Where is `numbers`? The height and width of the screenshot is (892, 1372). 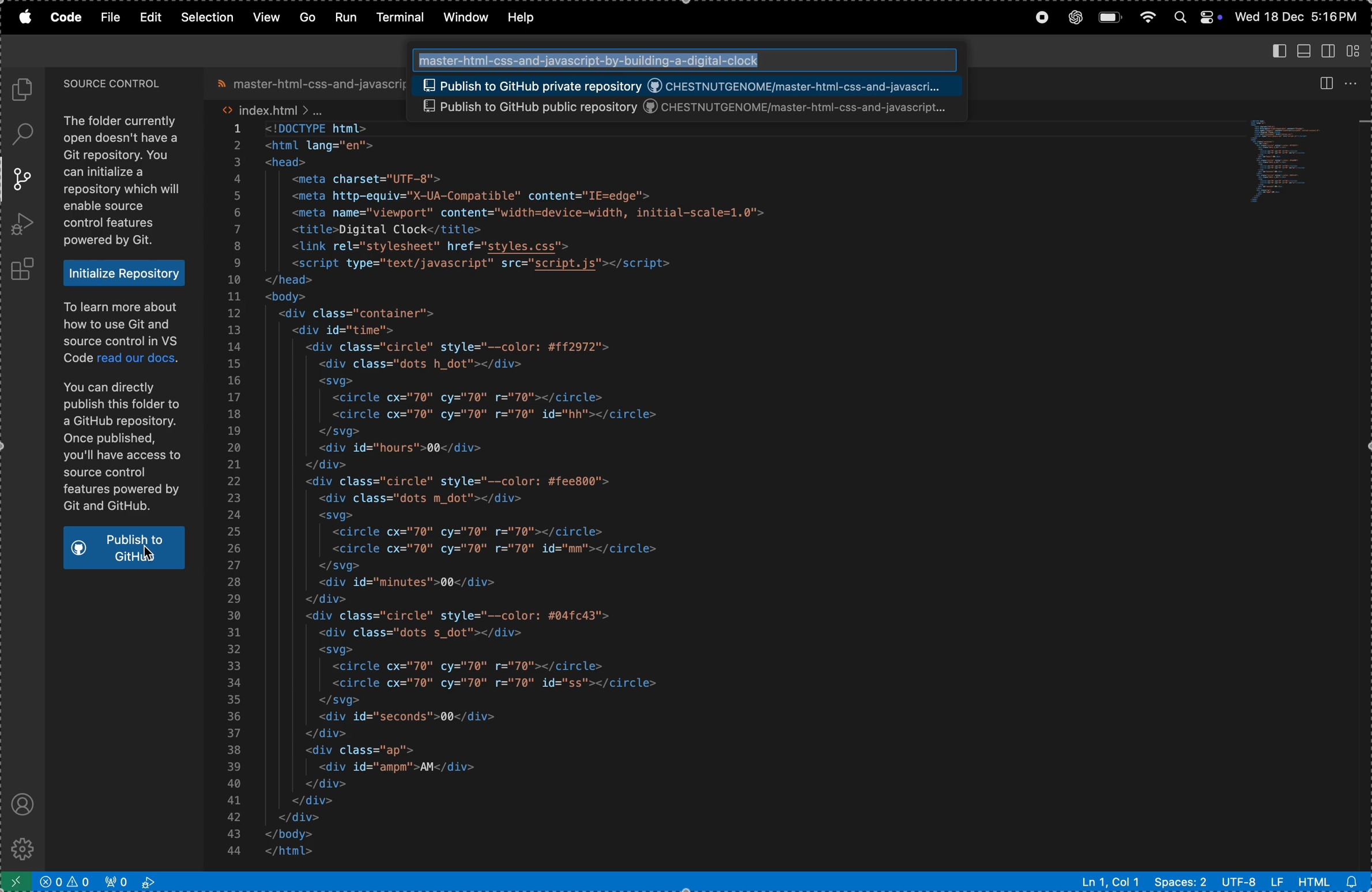
numbers is located at coordinates (237, 493).